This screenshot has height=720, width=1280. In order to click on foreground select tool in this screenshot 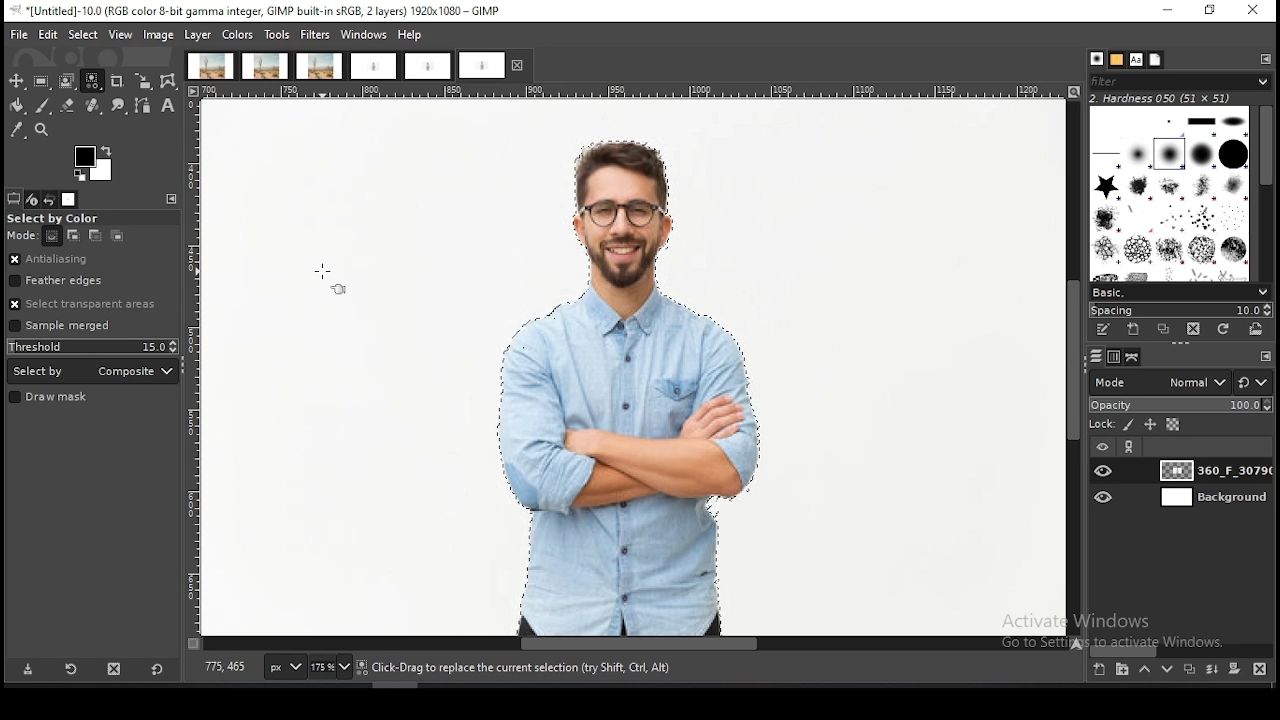, I will do `click(67, 81)`.